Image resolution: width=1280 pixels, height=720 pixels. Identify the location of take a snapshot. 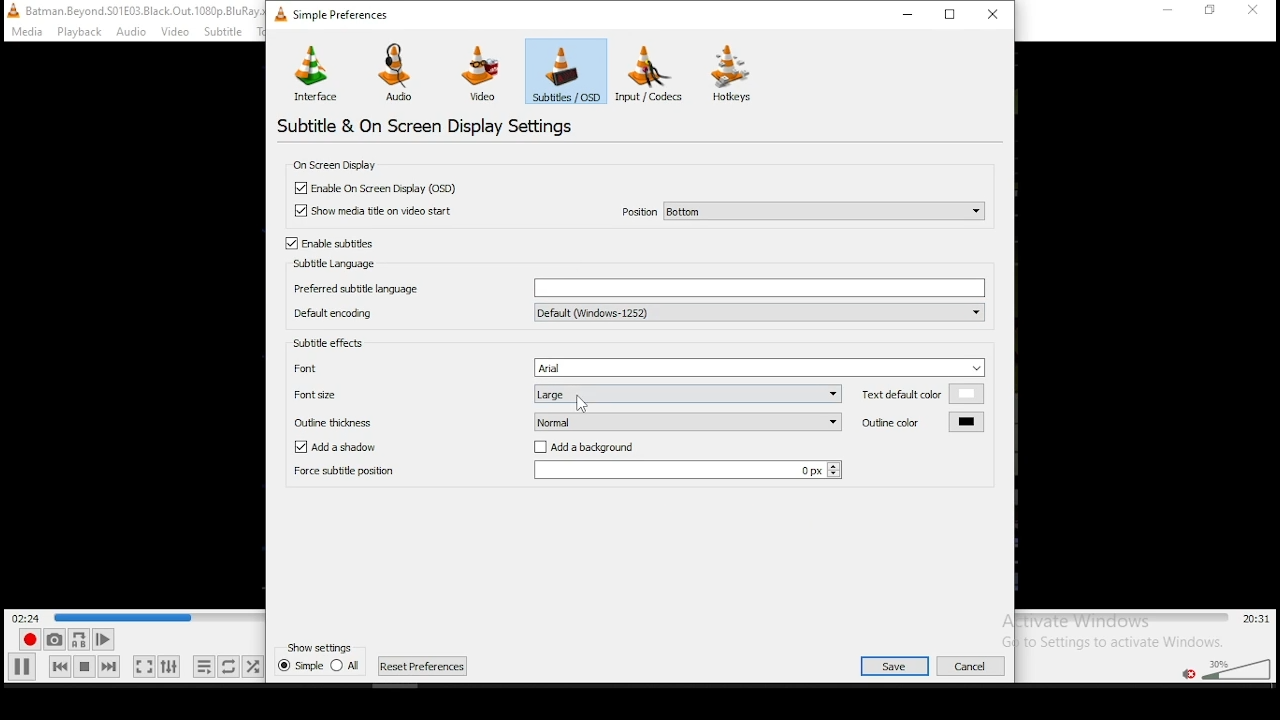
(54, 639).